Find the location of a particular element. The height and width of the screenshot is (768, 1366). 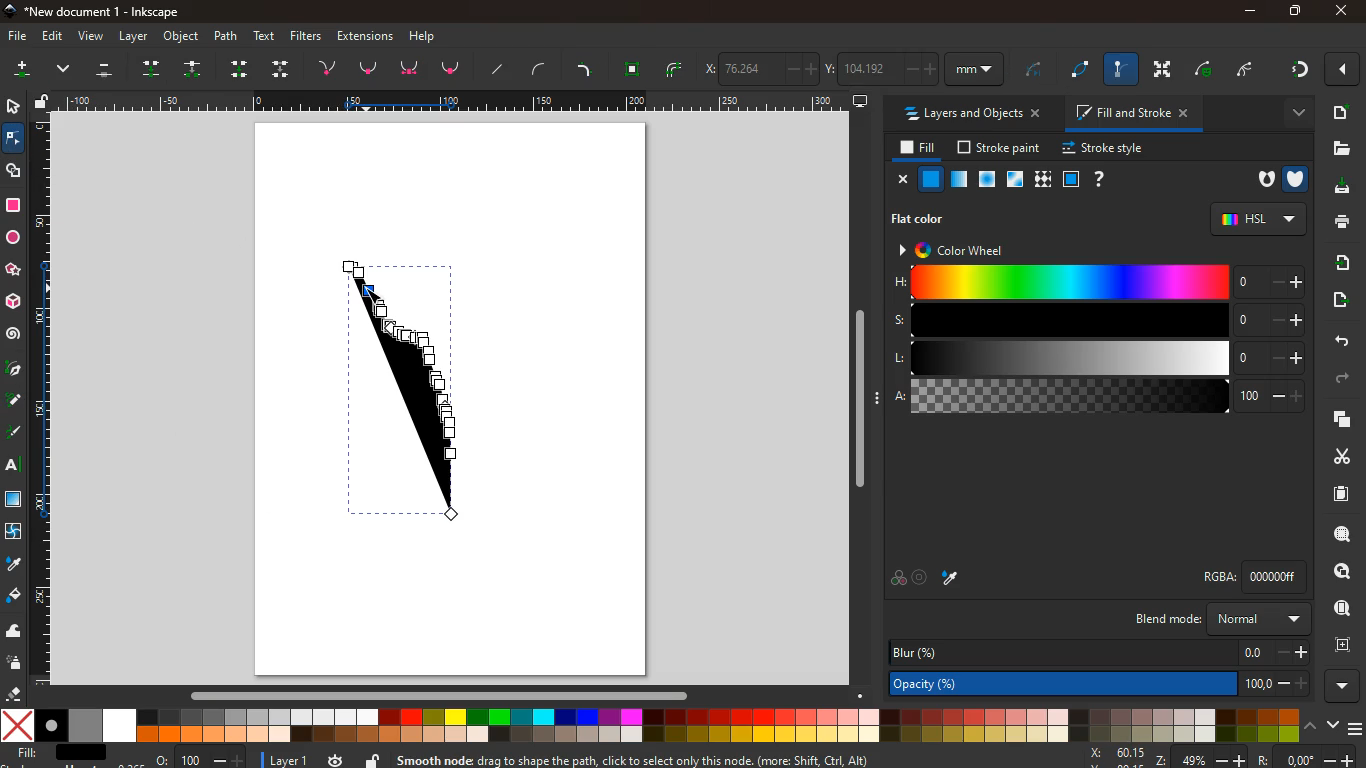

join is located at coordinates (331, 66).